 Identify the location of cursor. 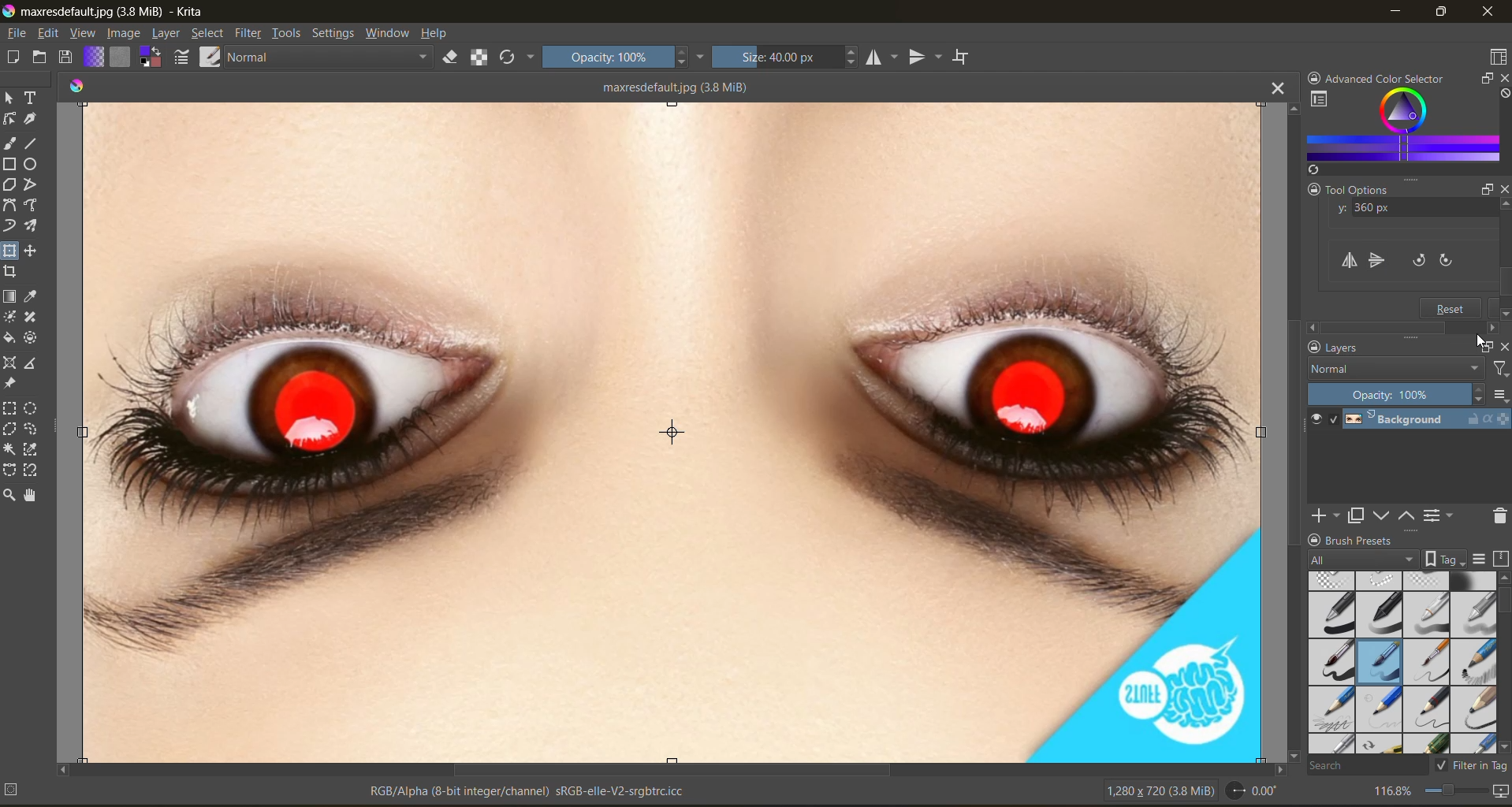
(1483, 342).